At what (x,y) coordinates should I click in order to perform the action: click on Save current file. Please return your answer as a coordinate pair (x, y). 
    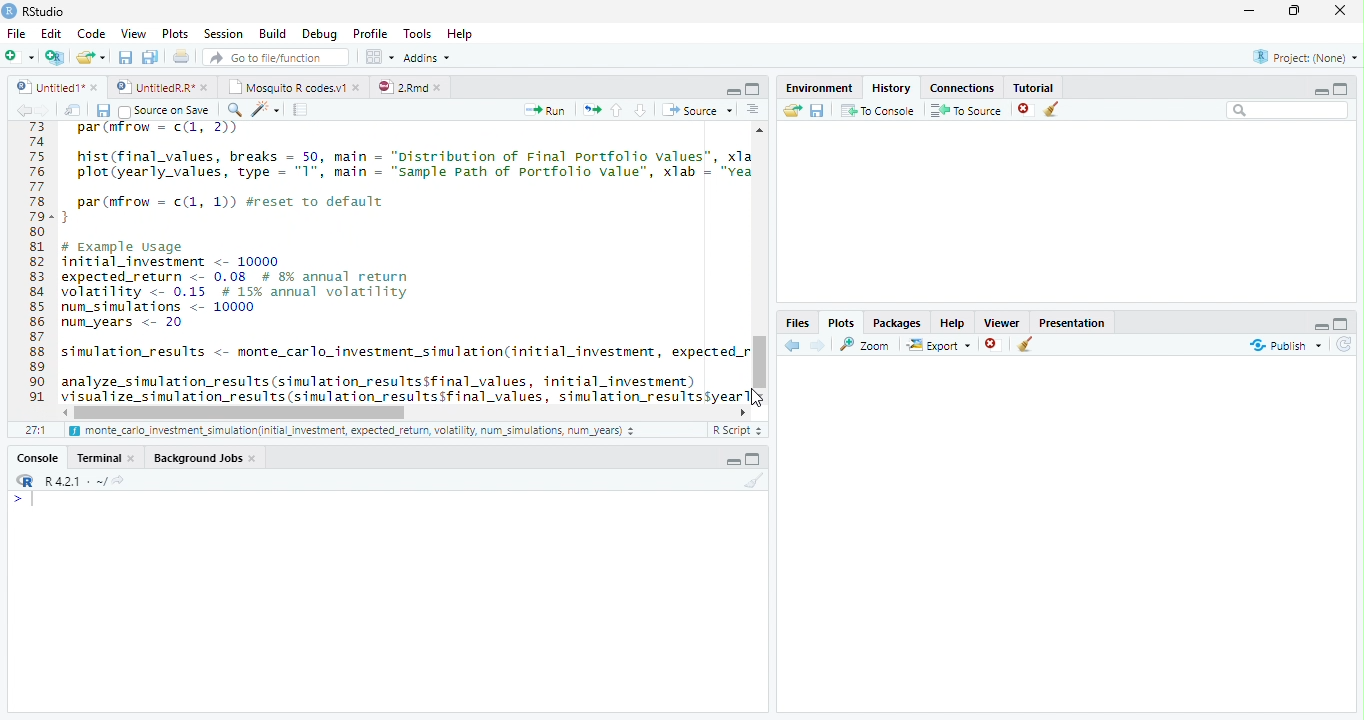
    Looking at the image, I should click on (124, 57).